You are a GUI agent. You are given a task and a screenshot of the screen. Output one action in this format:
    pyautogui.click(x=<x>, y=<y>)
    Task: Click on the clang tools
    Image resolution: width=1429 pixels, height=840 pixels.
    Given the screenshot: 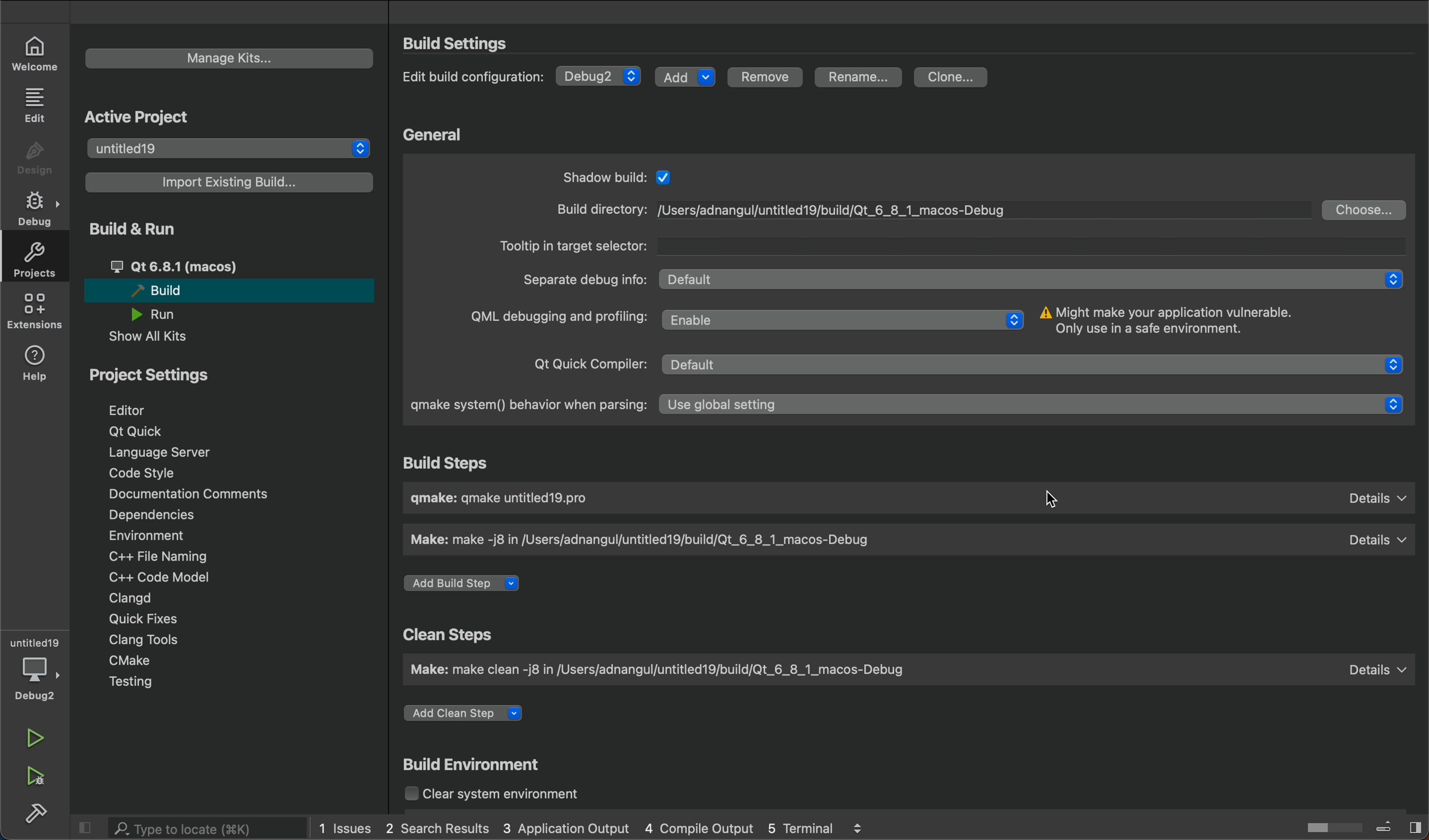 What is the action you would take?
    pyautogui.click(x=141, y=639)
    